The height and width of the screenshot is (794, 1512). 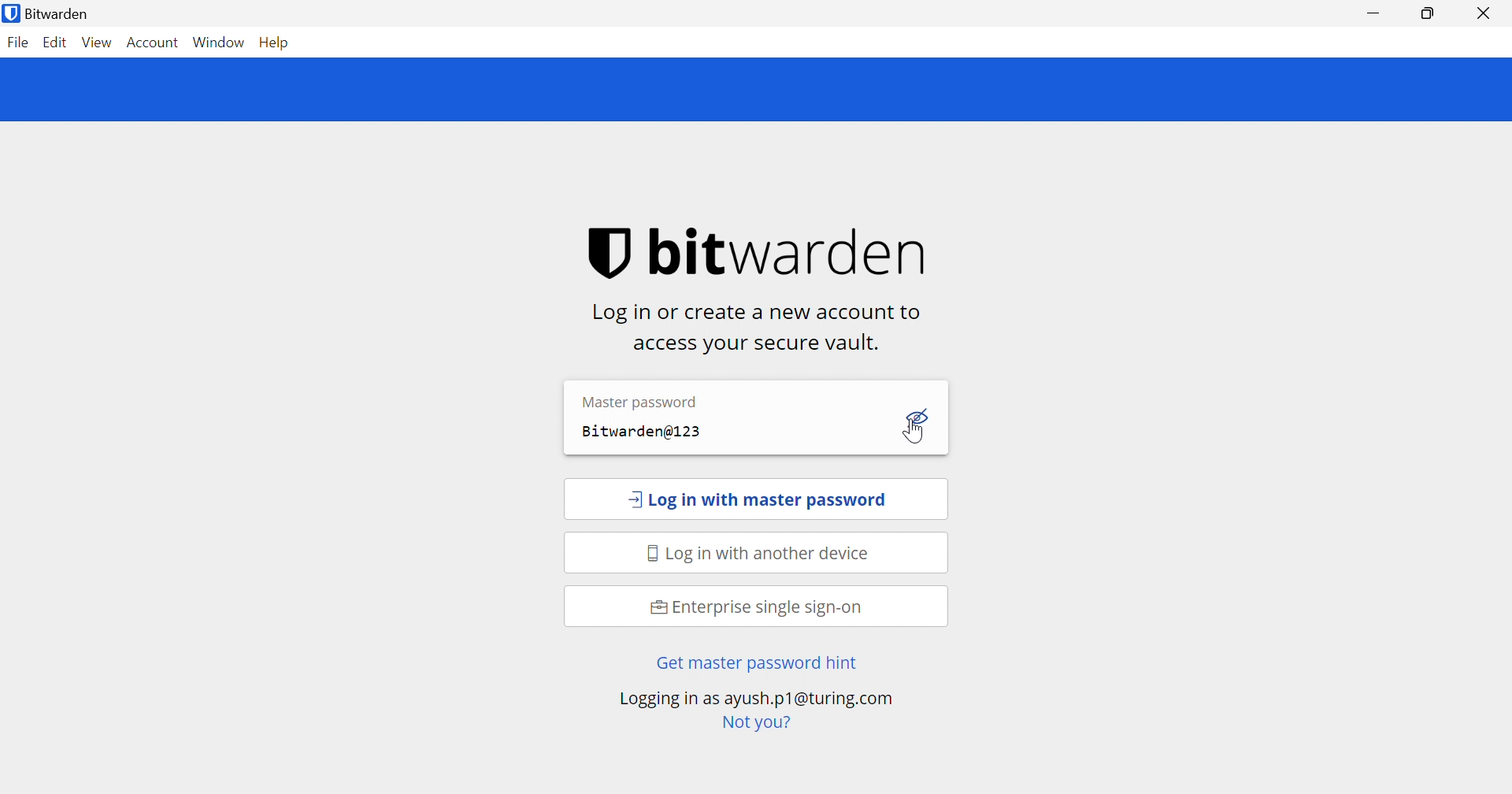 I want to click on Toggle Visibility, so click(x=920, y=416).